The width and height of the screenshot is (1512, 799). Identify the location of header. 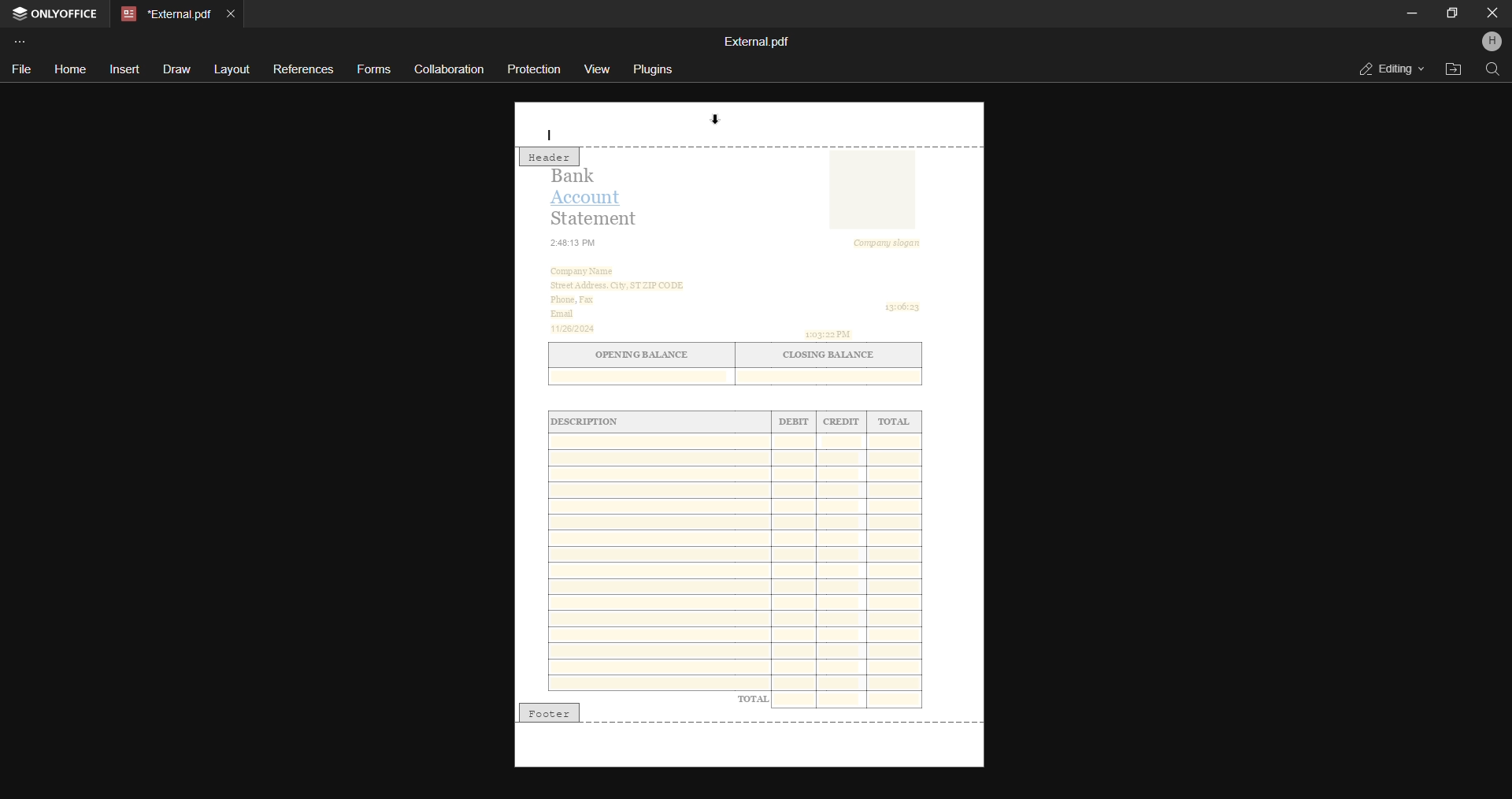
(550, 158).